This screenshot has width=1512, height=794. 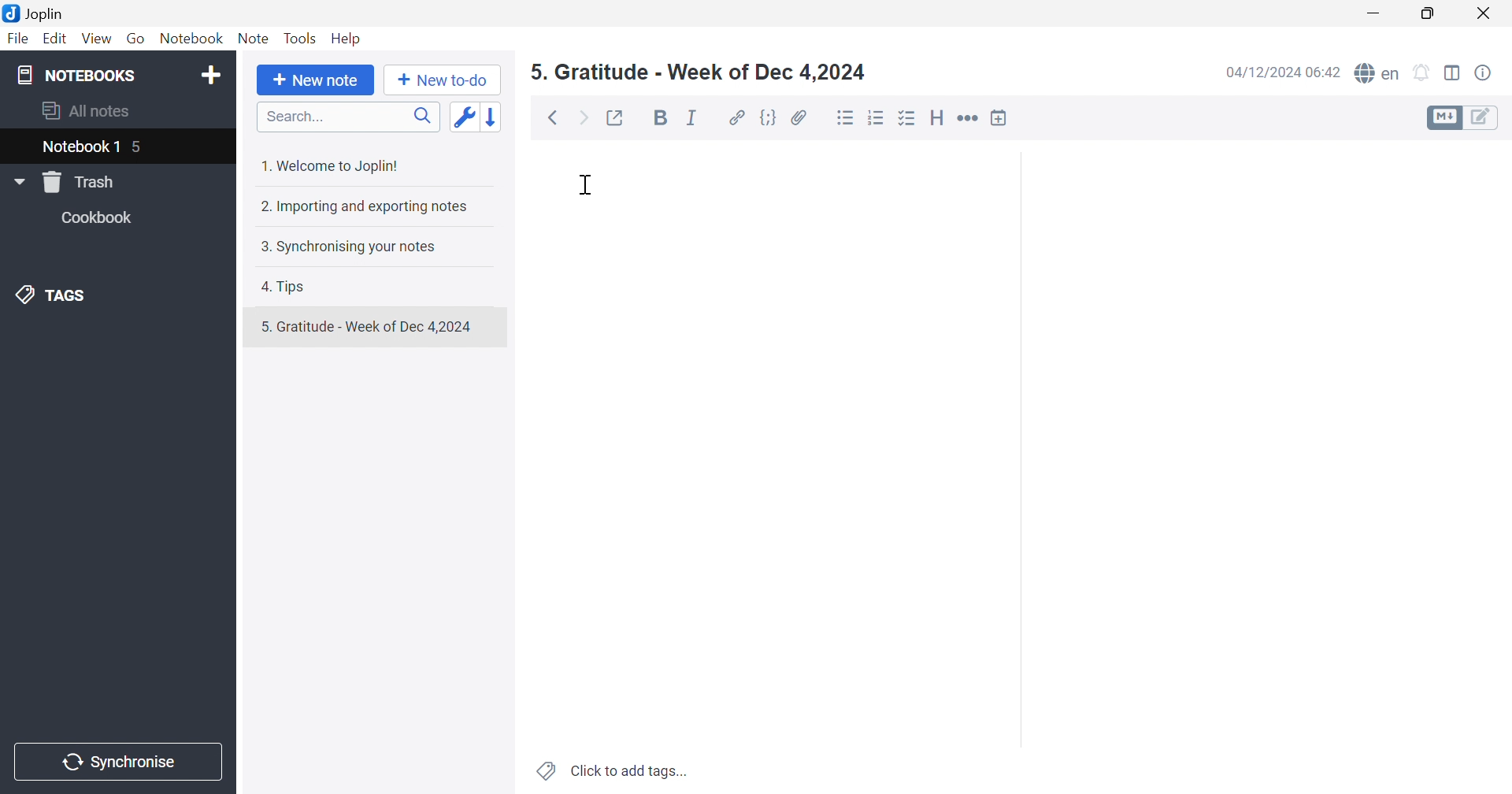 What do you see at coordinates (212, 74) in the screenshot?
I see `Add notebook` at bounding box center [212, 74].